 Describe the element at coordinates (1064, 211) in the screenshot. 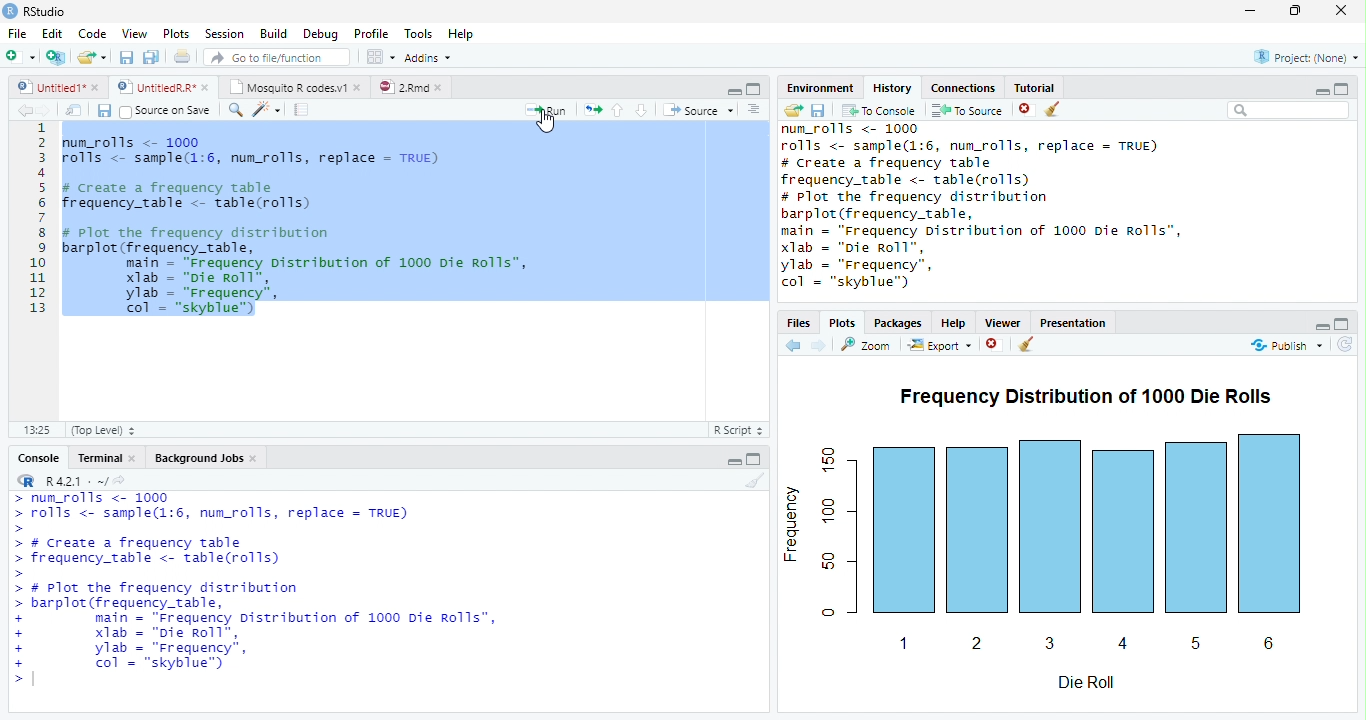

I see `History` at that location.